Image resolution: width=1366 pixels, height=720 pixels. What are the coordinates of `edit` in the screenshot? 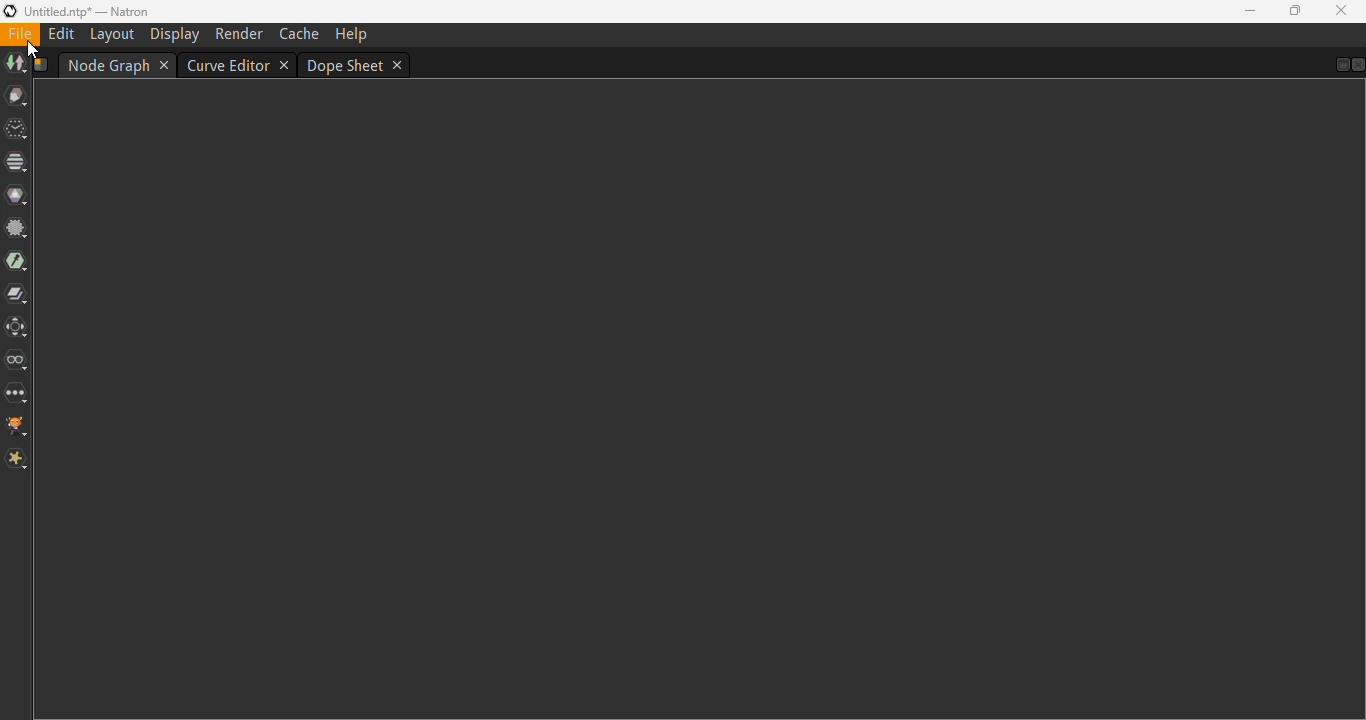 It's located at (61, 33).